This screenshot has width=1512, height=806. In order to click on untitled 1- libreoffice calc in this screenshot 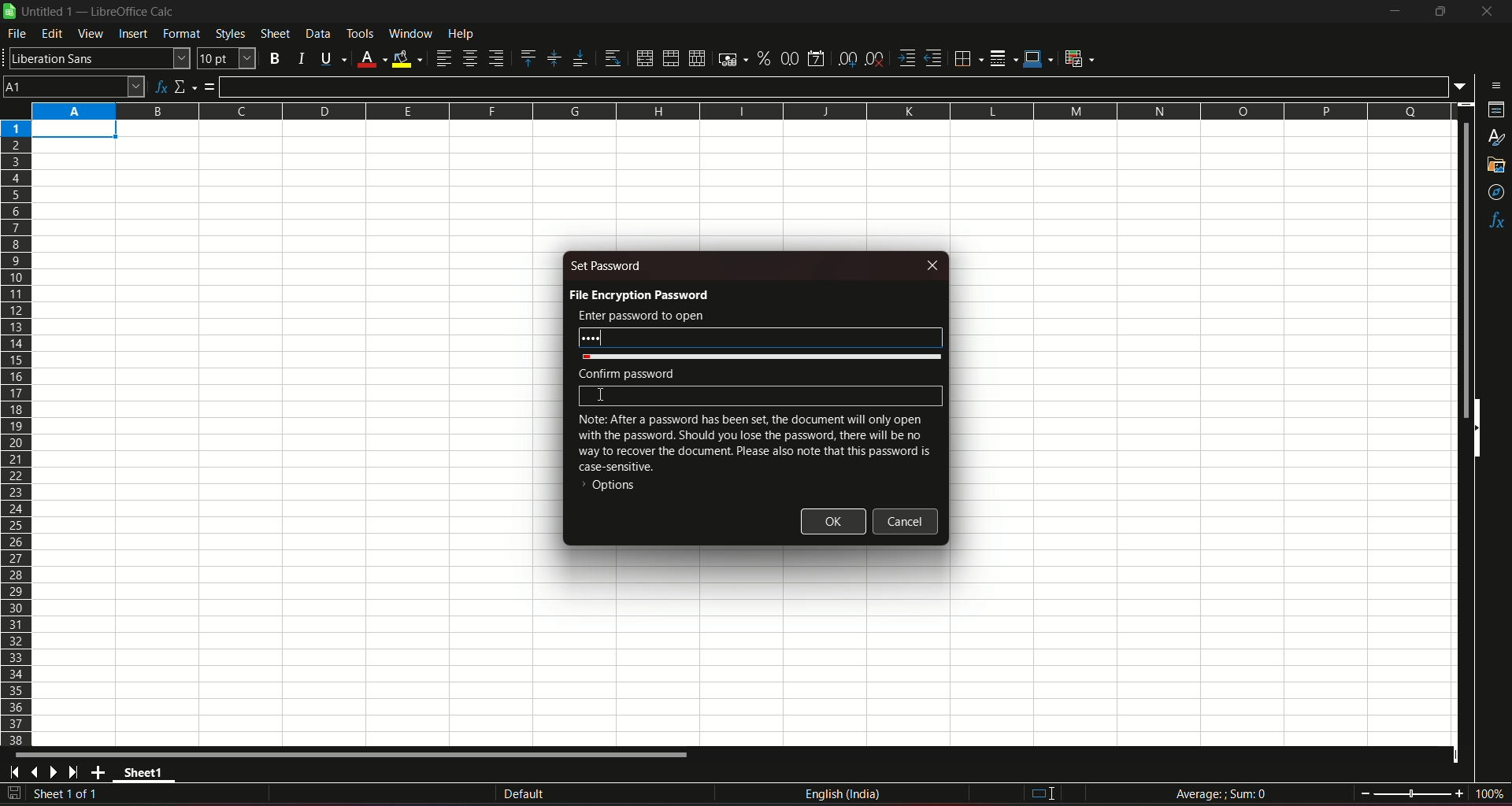, I will do `click(101, 13)`.